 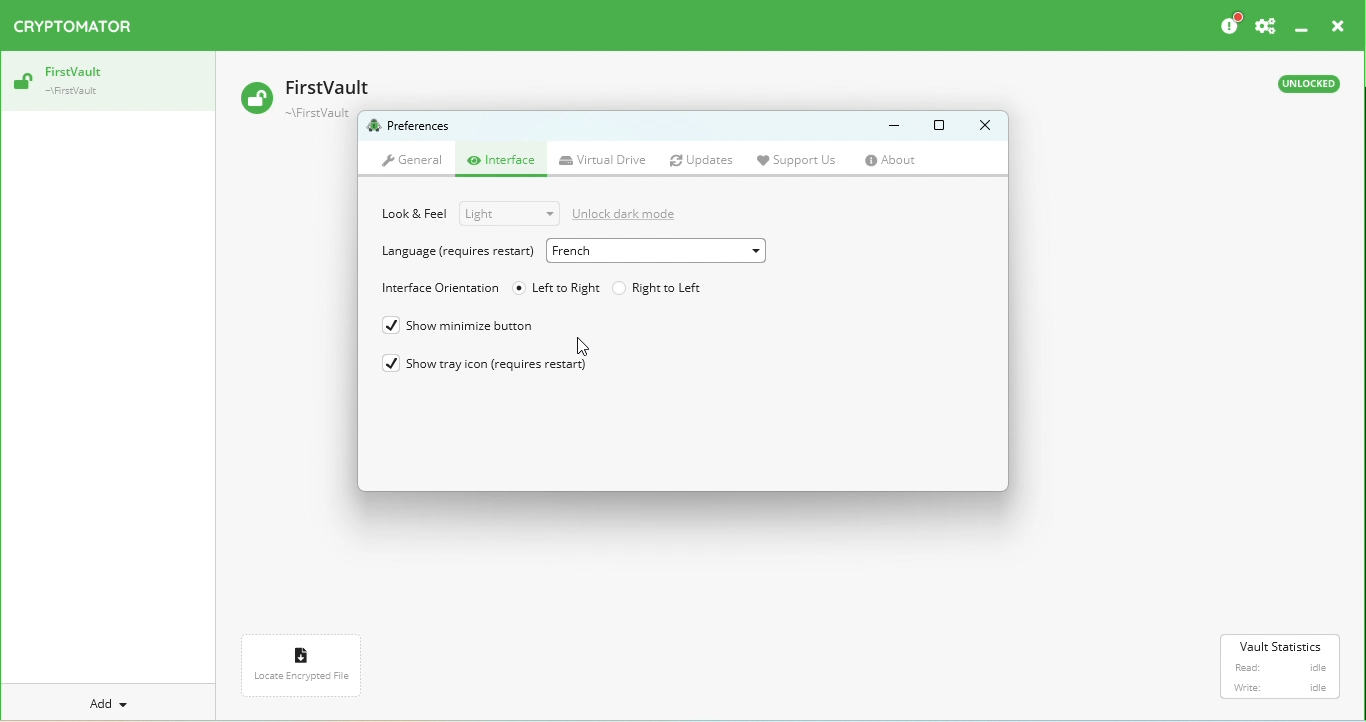 I want to click on Virtual drive, so click(x=605, y=161).